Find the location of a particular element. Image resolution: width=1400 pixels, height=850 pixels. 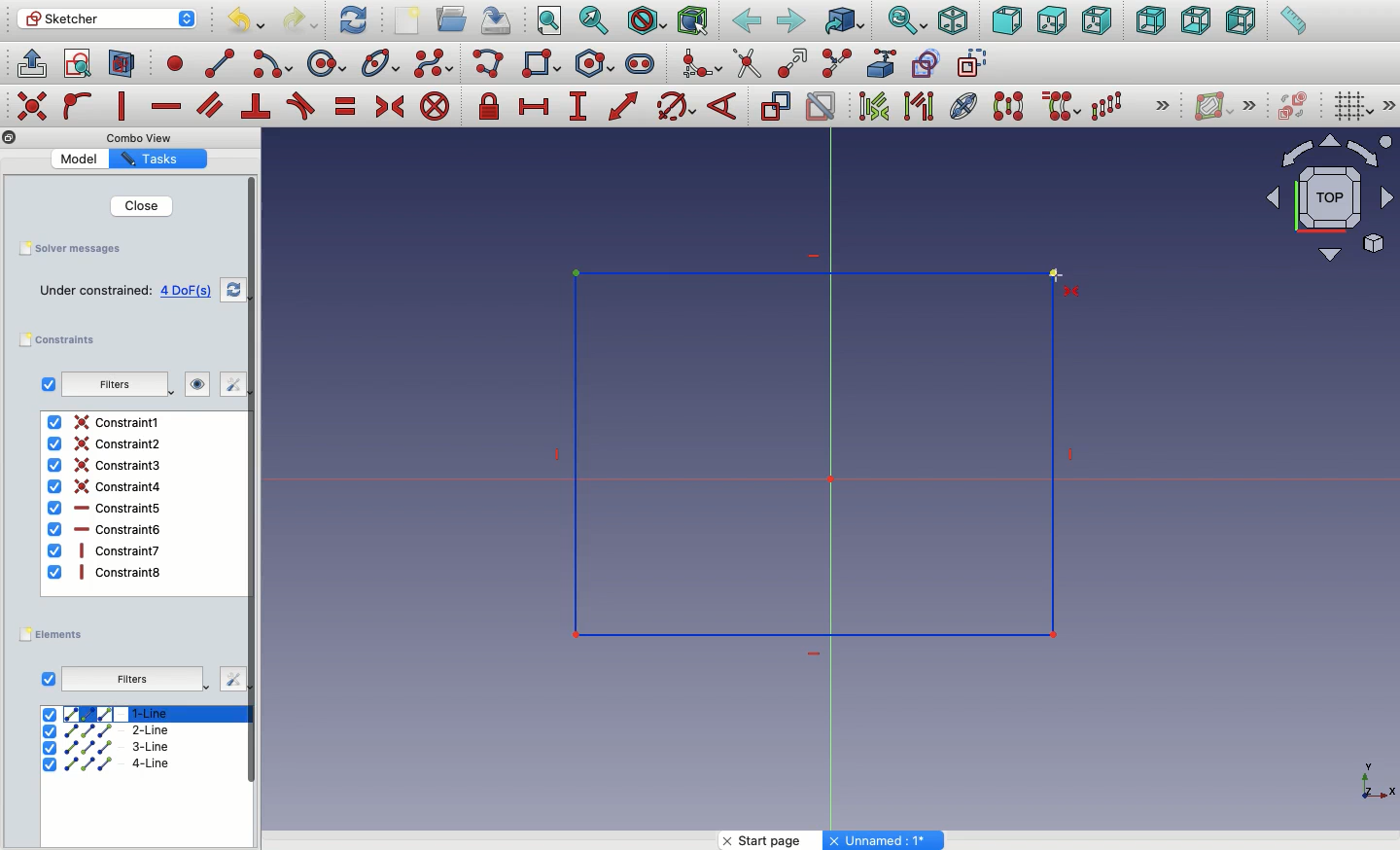

constrain point onto object is located at coordinates (78, 105).